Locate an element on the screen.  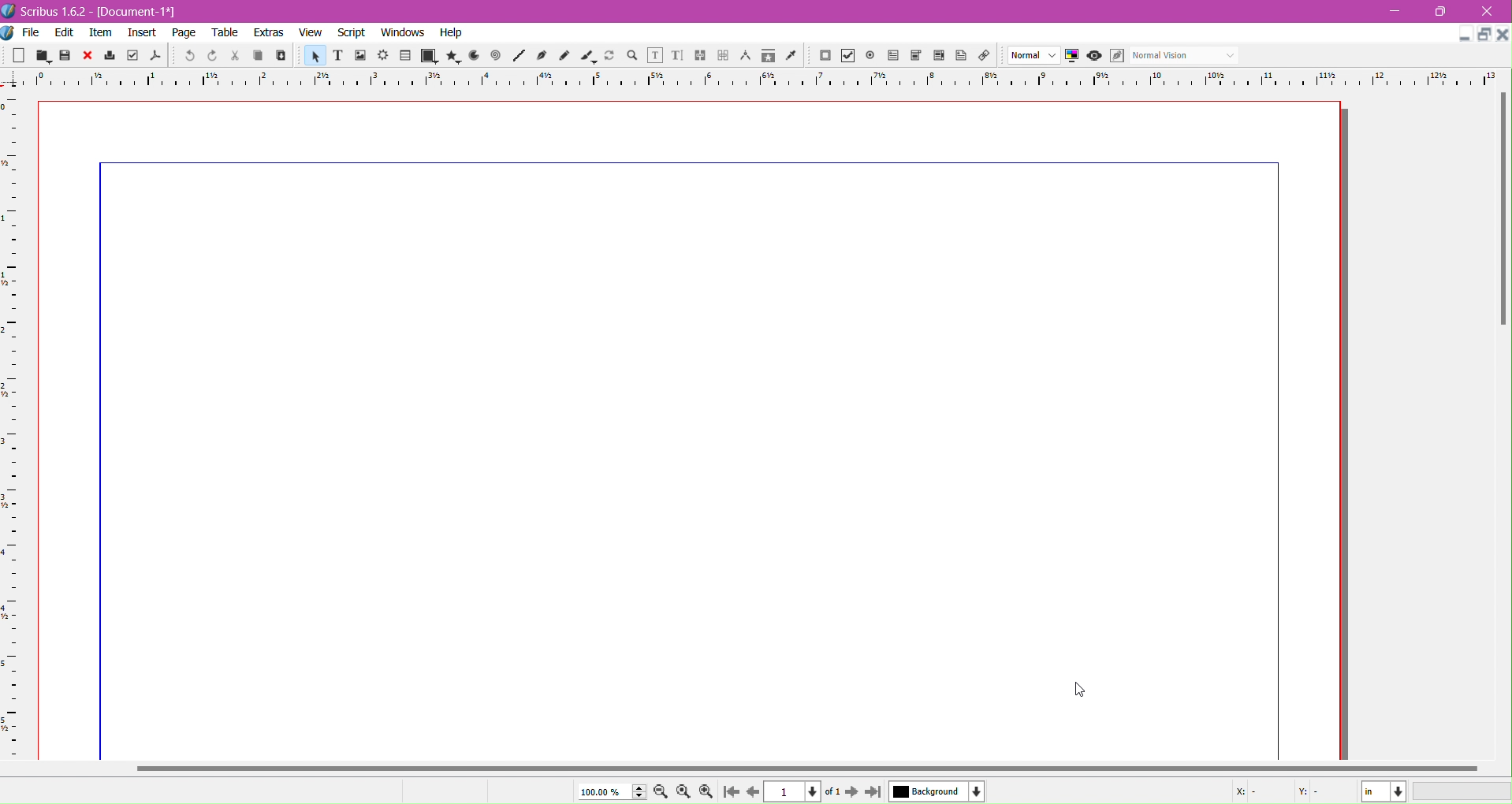
X:- Y:- is located at coordinates (1281, 791).